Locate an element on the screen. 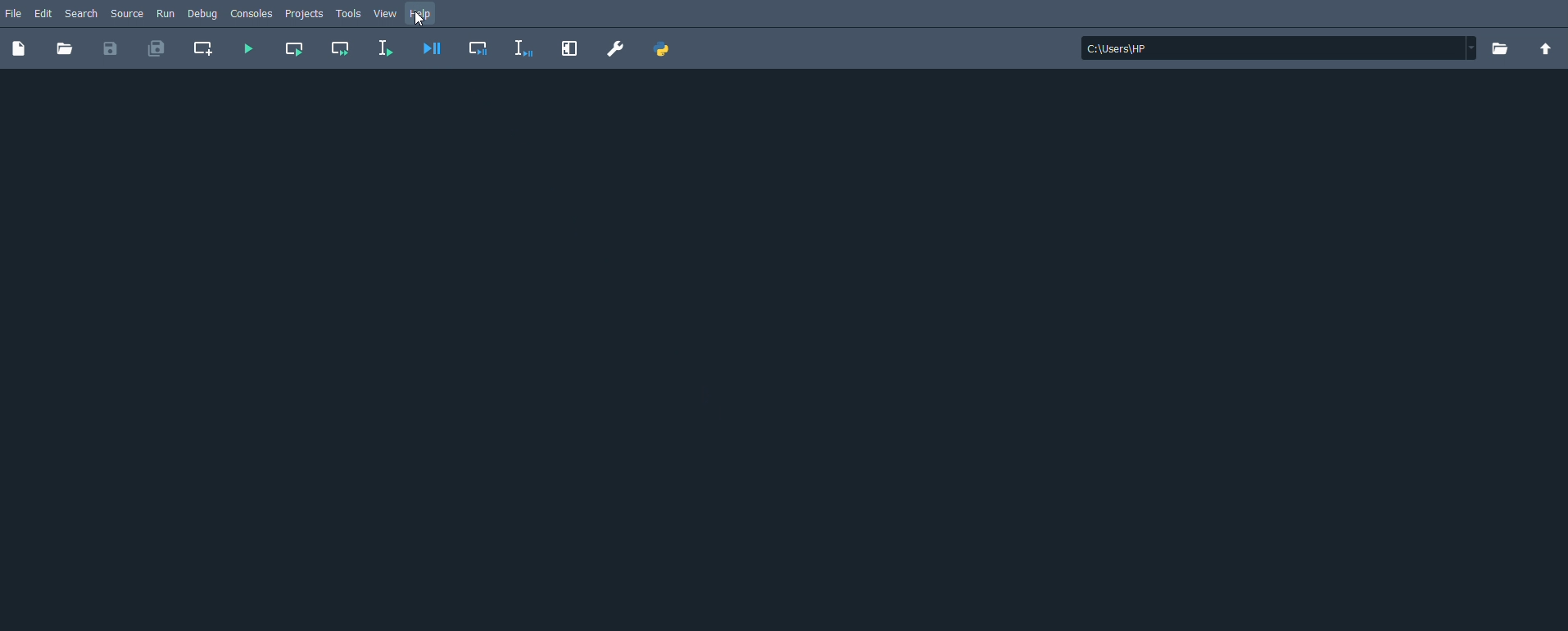  Debug file is located at coordinates (433, 48).